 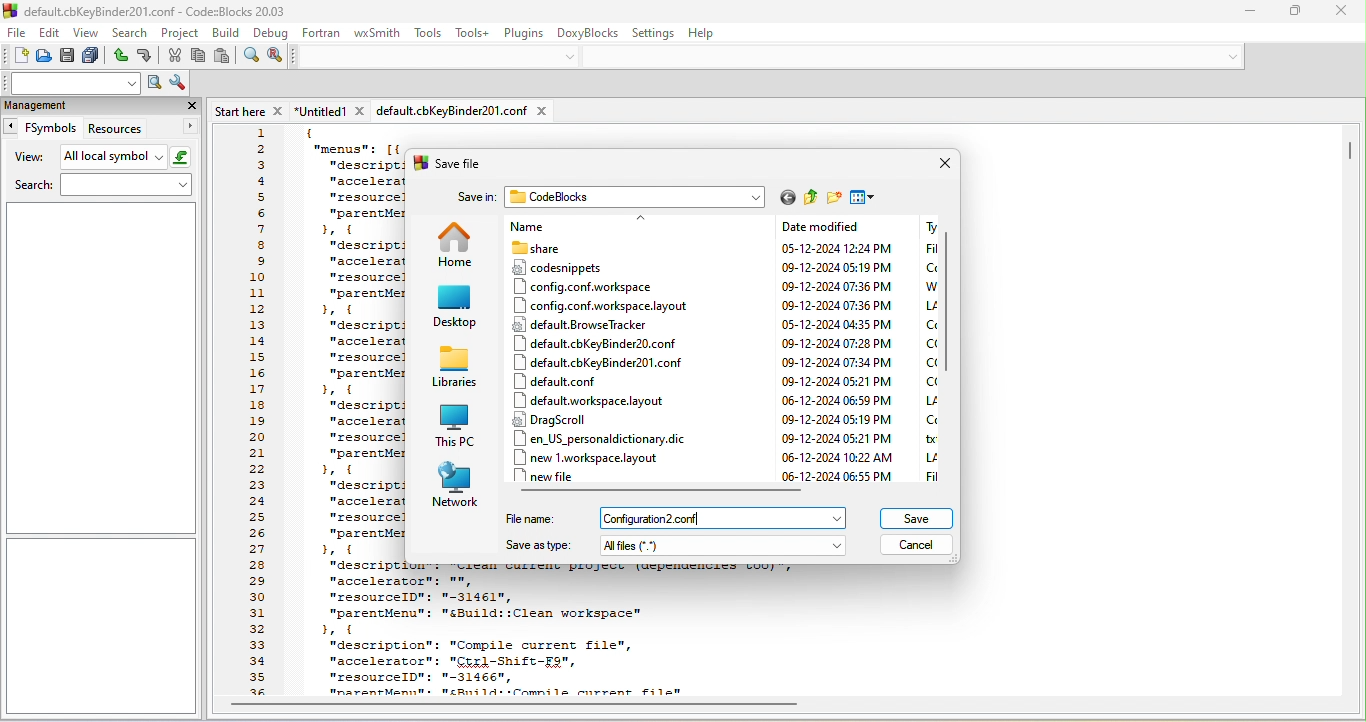 What do you see at coordinates (252, 58) in the screenshot?
I see `find` at bounding box center [252, 58].